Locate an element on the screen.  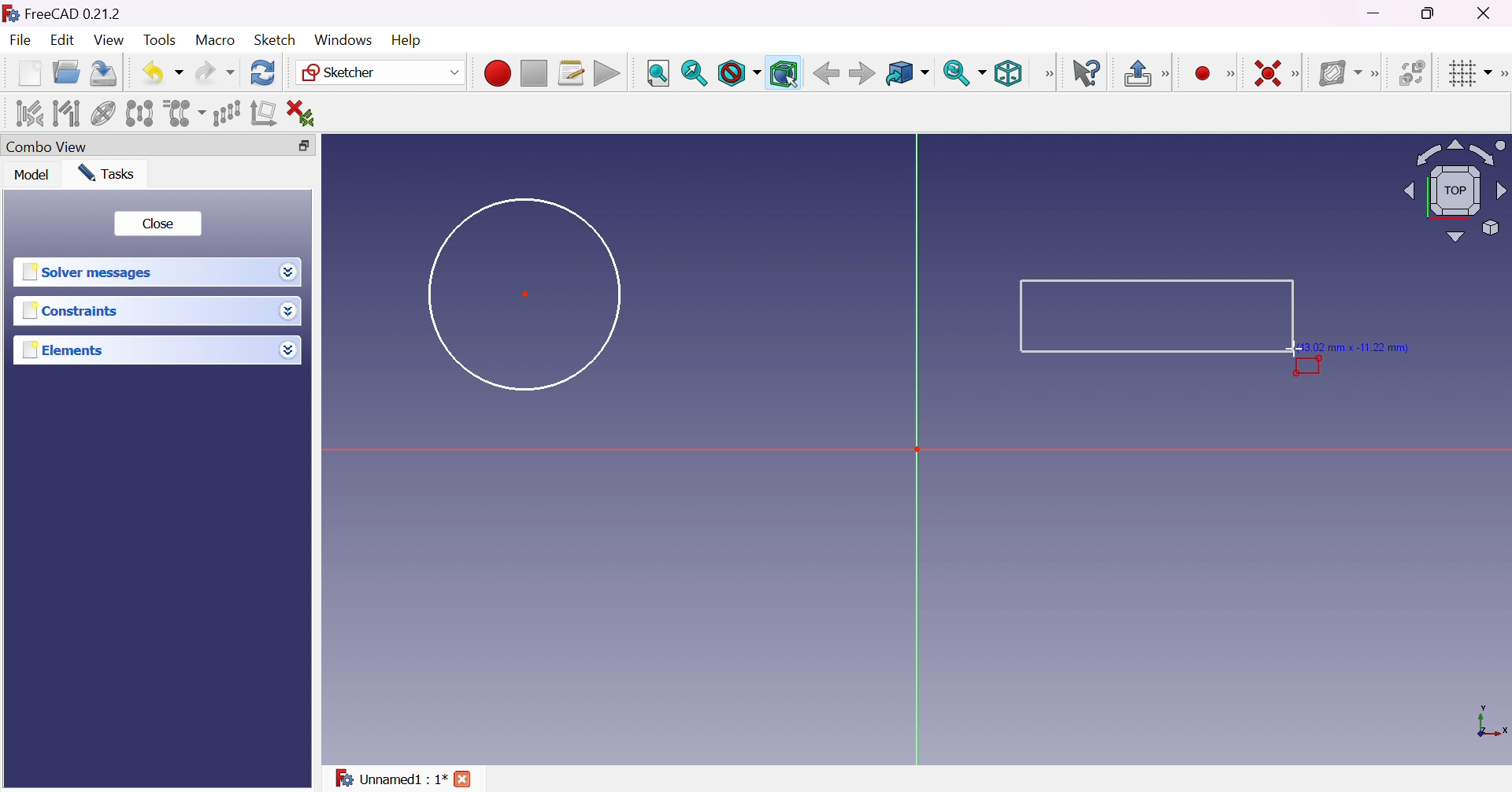
x, y axis is located at coordinates (1490, 723).